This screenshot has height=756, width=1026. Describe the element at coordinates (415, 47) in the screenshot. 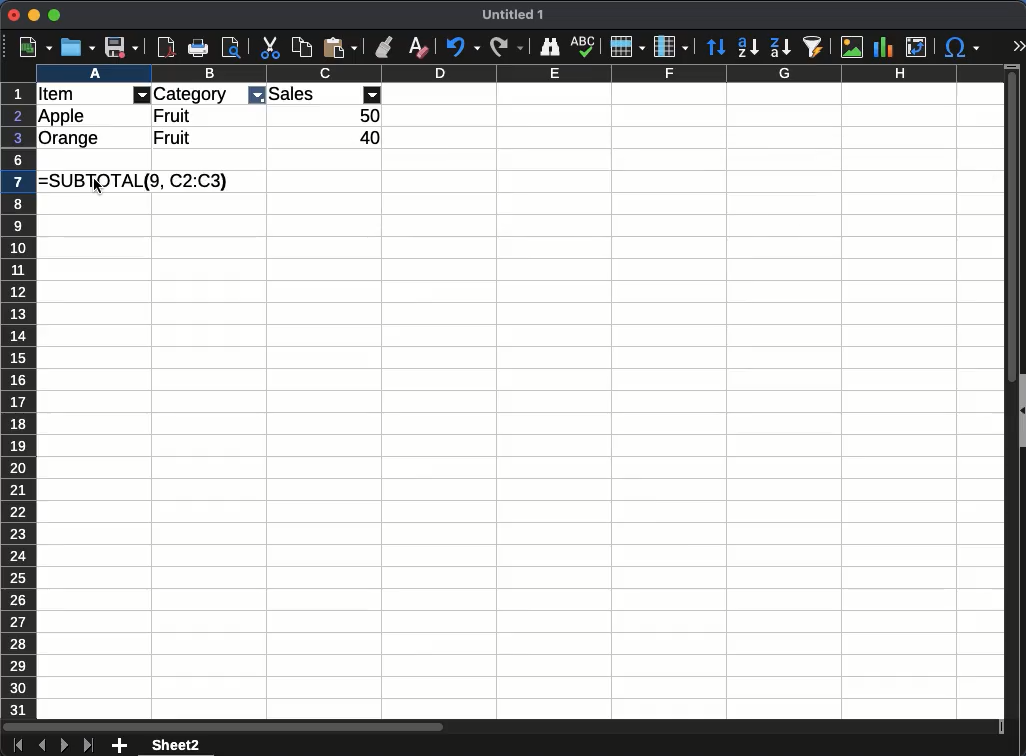

I see `clear formatting` at that location.